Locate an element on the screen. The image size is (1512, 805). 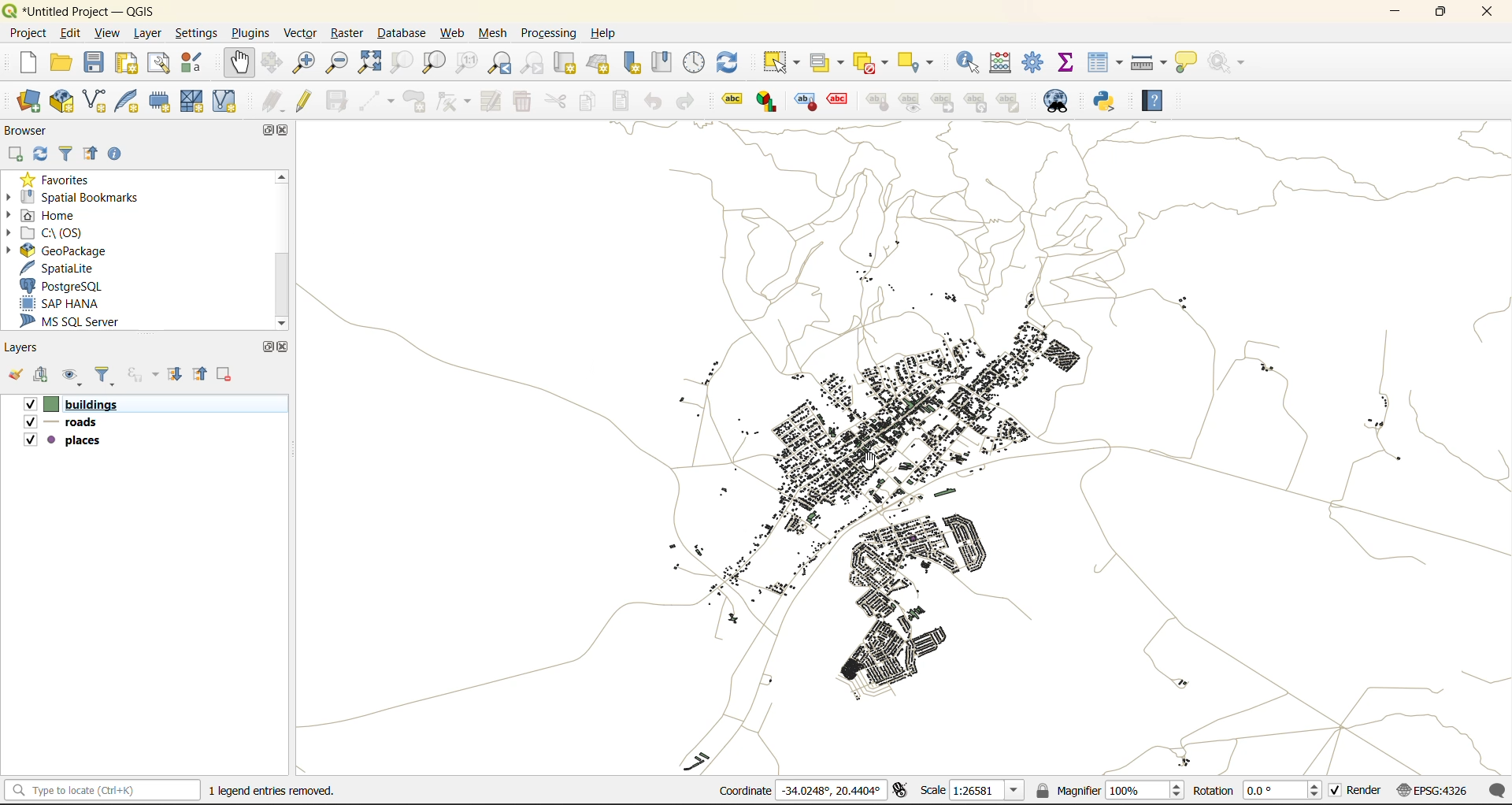
show spatial bookmark is located at coordinates (661, 62).